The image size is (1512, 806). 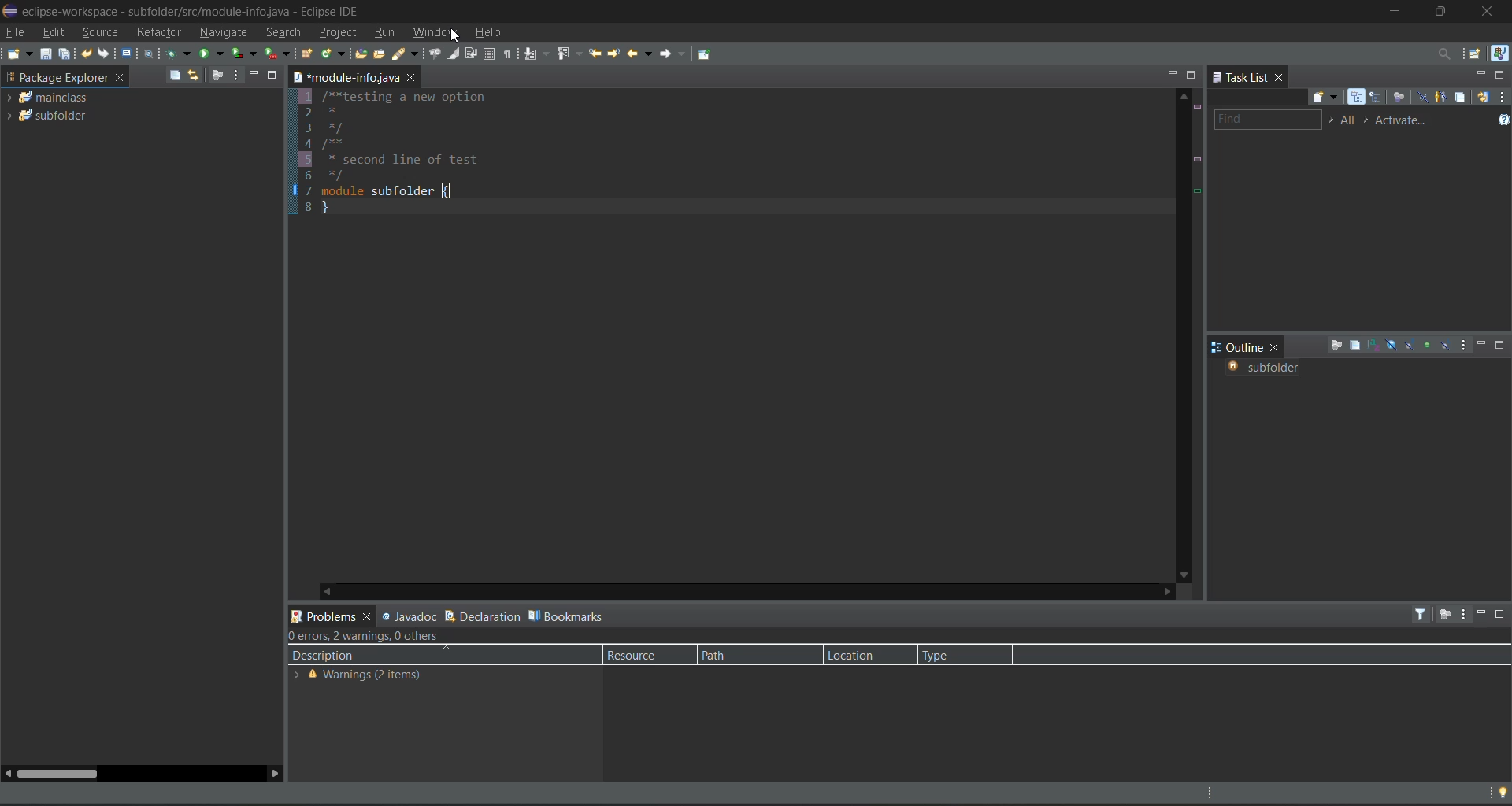 I want to click on run, so click(x=386, y=35).